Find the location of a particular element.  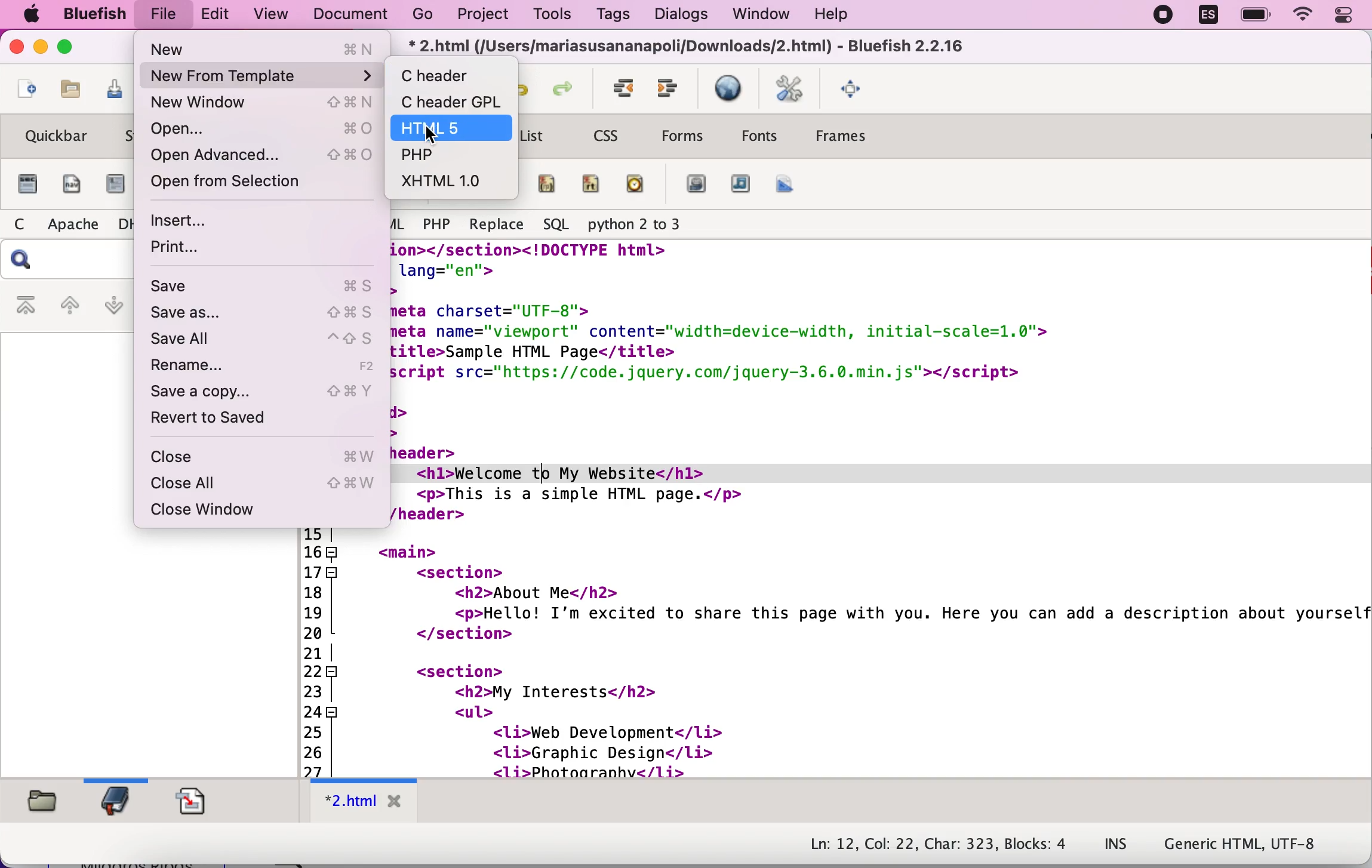

c header is located at coordinates (447, 75).